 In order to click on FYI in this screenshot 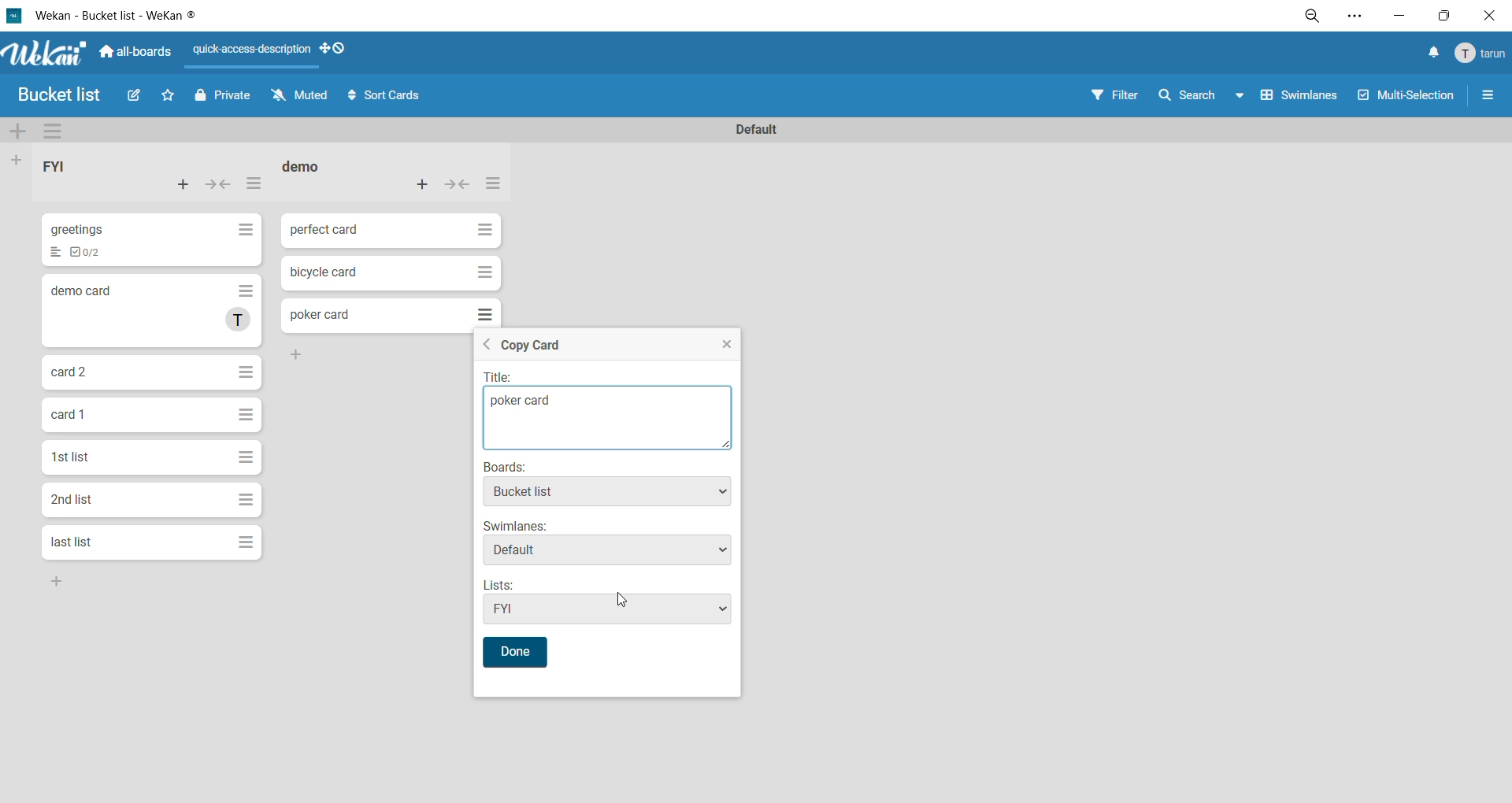, I will do `click(604, 609)`.